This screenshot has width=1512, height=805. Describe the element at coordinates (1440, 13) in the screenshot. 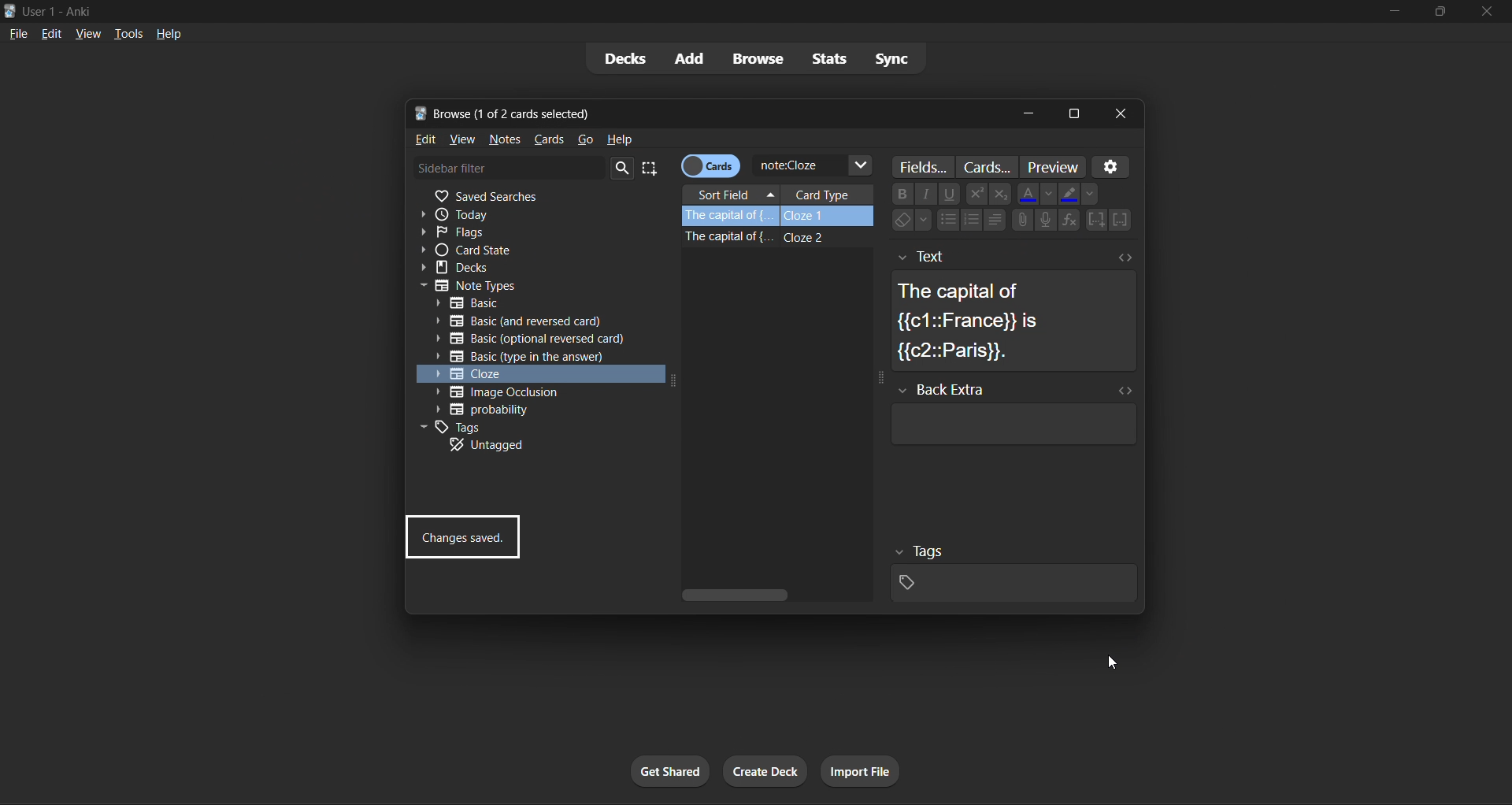

I see `maximize` at that location.